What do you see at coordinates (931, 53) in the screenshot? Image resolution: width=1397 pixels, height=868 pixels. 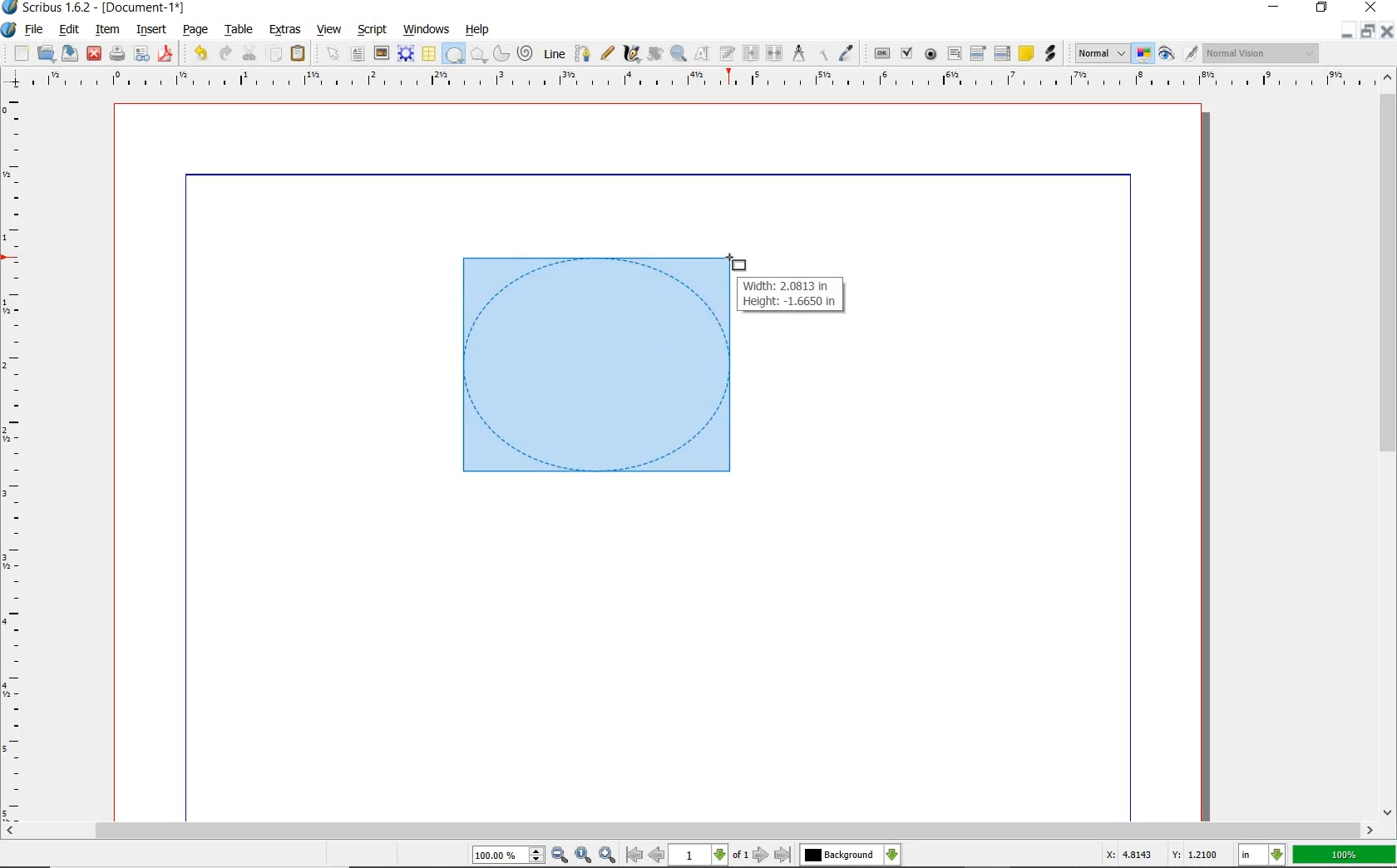 I see `PDF RADIO BUTTON` at bounding box center [931, 53].